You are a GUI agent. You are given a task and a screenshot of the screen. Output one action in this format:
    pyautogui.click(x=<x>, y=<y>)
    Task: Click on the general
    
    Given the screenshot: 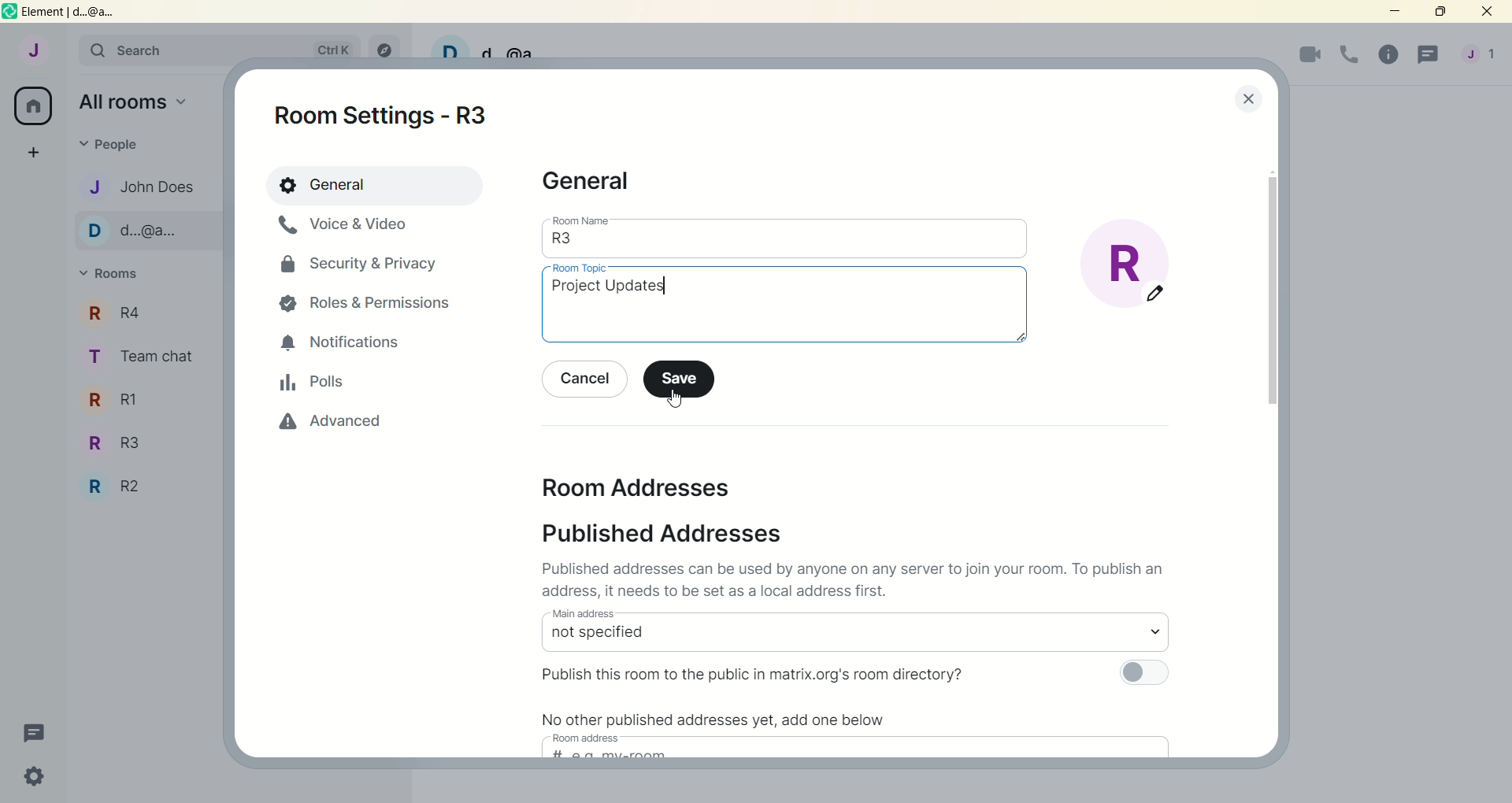 What is the action you would take?
    pyautogui.click(x=588, y=182)
    